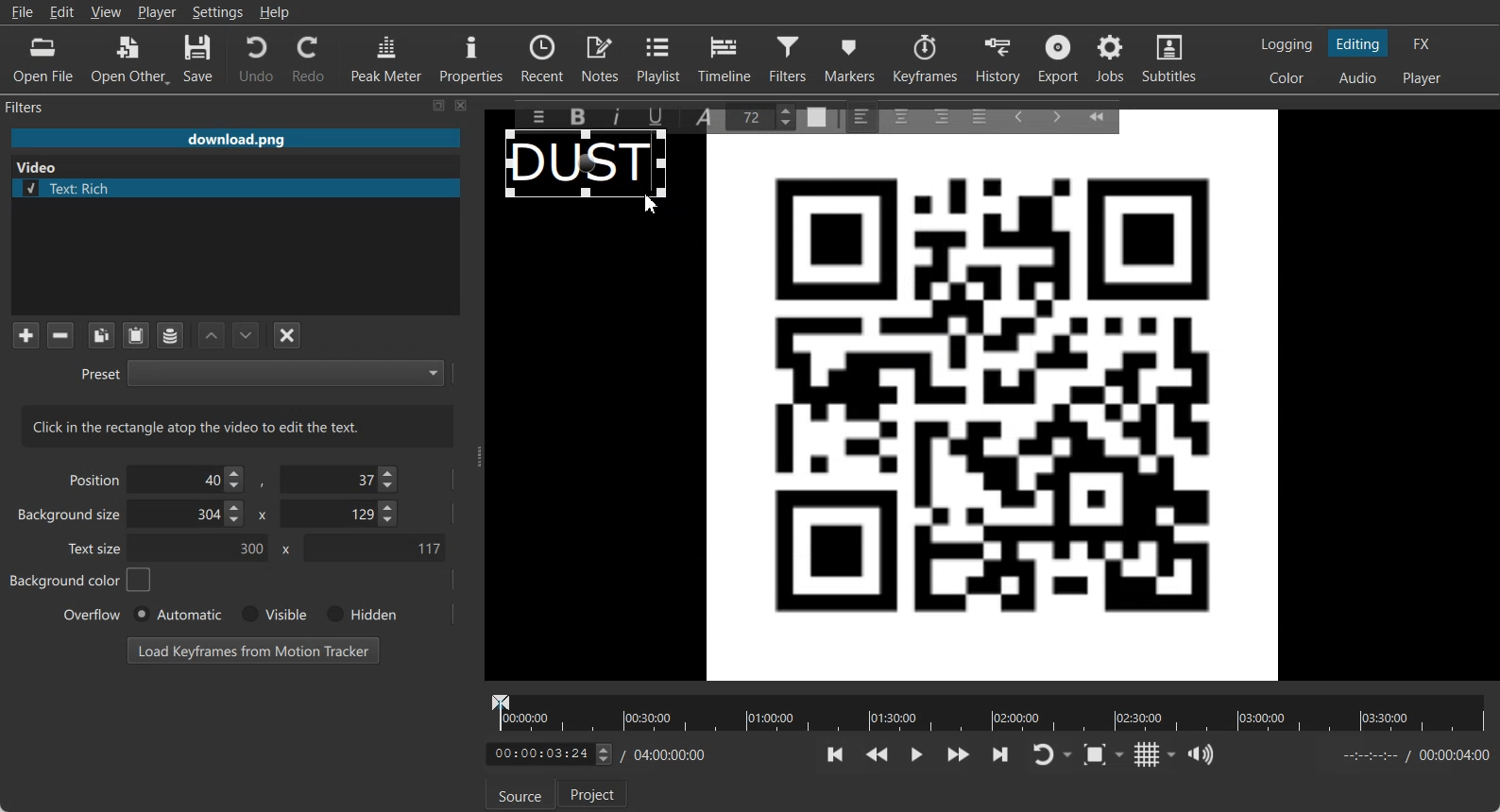 The height and width of the screenshot is (812, 1500). What do you see at coordinates (579, 160) in the screenshot?
I see `Text` at bounding box center [579, 160].